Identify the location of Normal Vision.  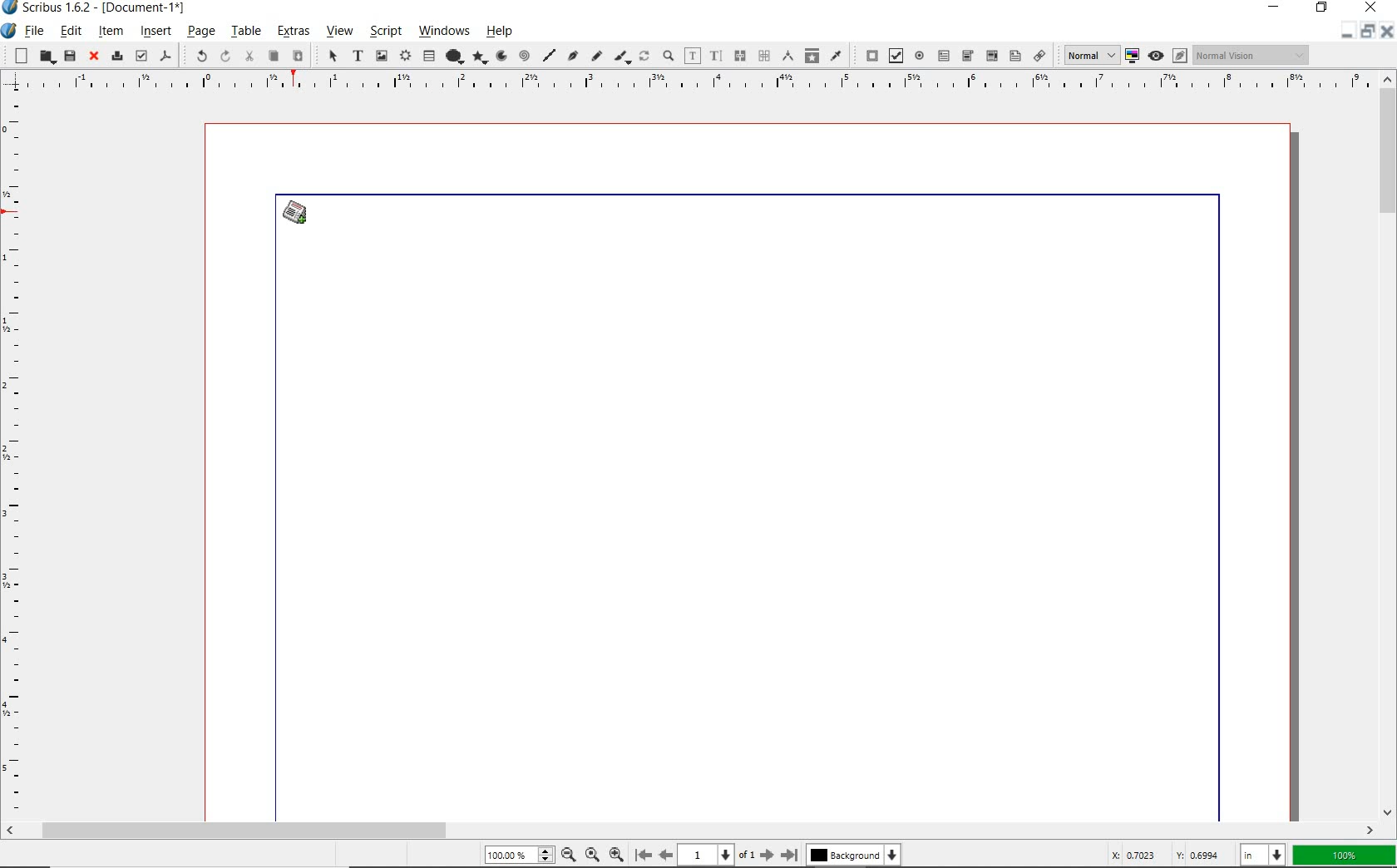
(1253, 54).